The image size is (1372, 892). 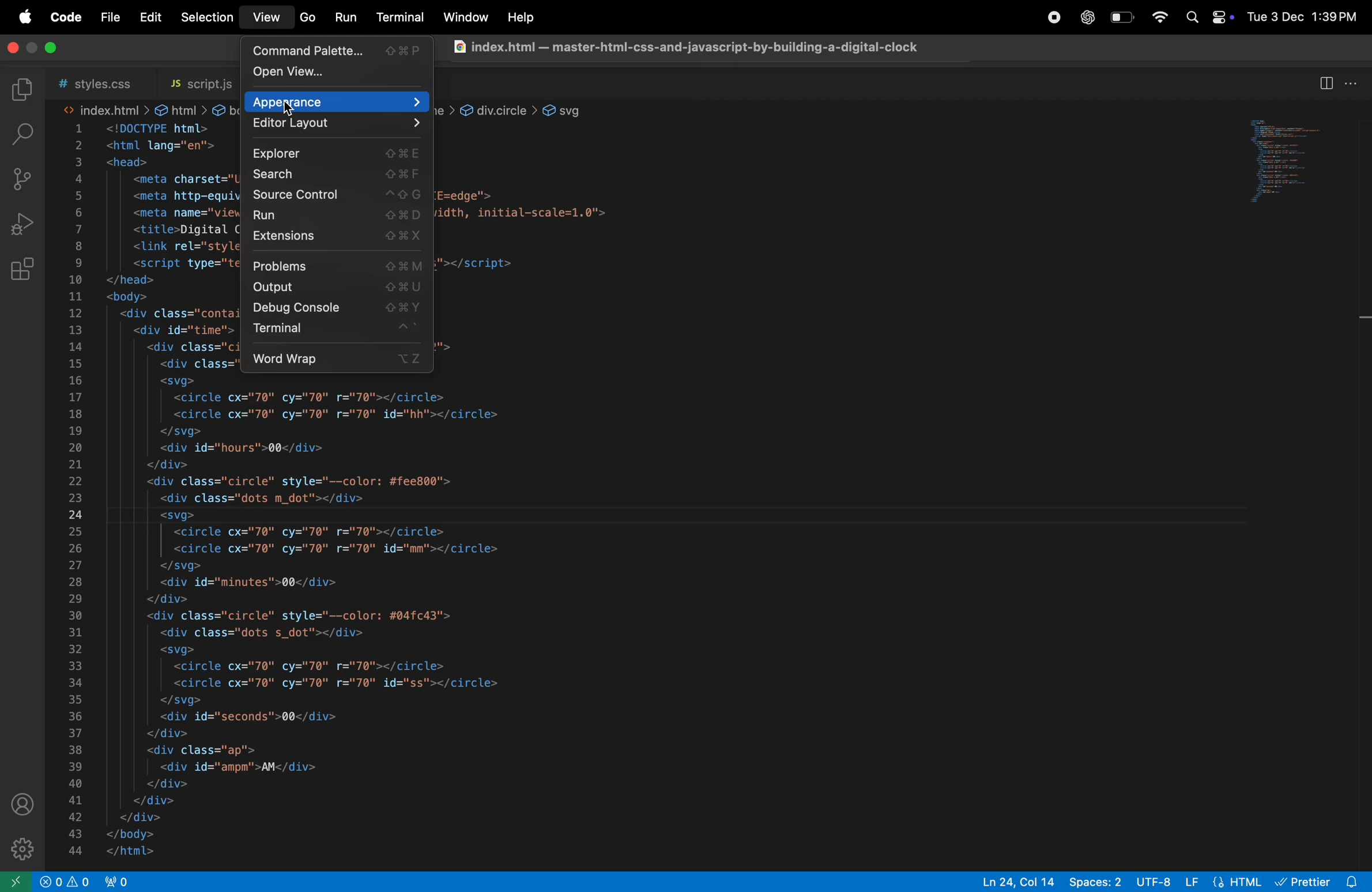 I want to click on open remote window, so click(x=18, y=882).